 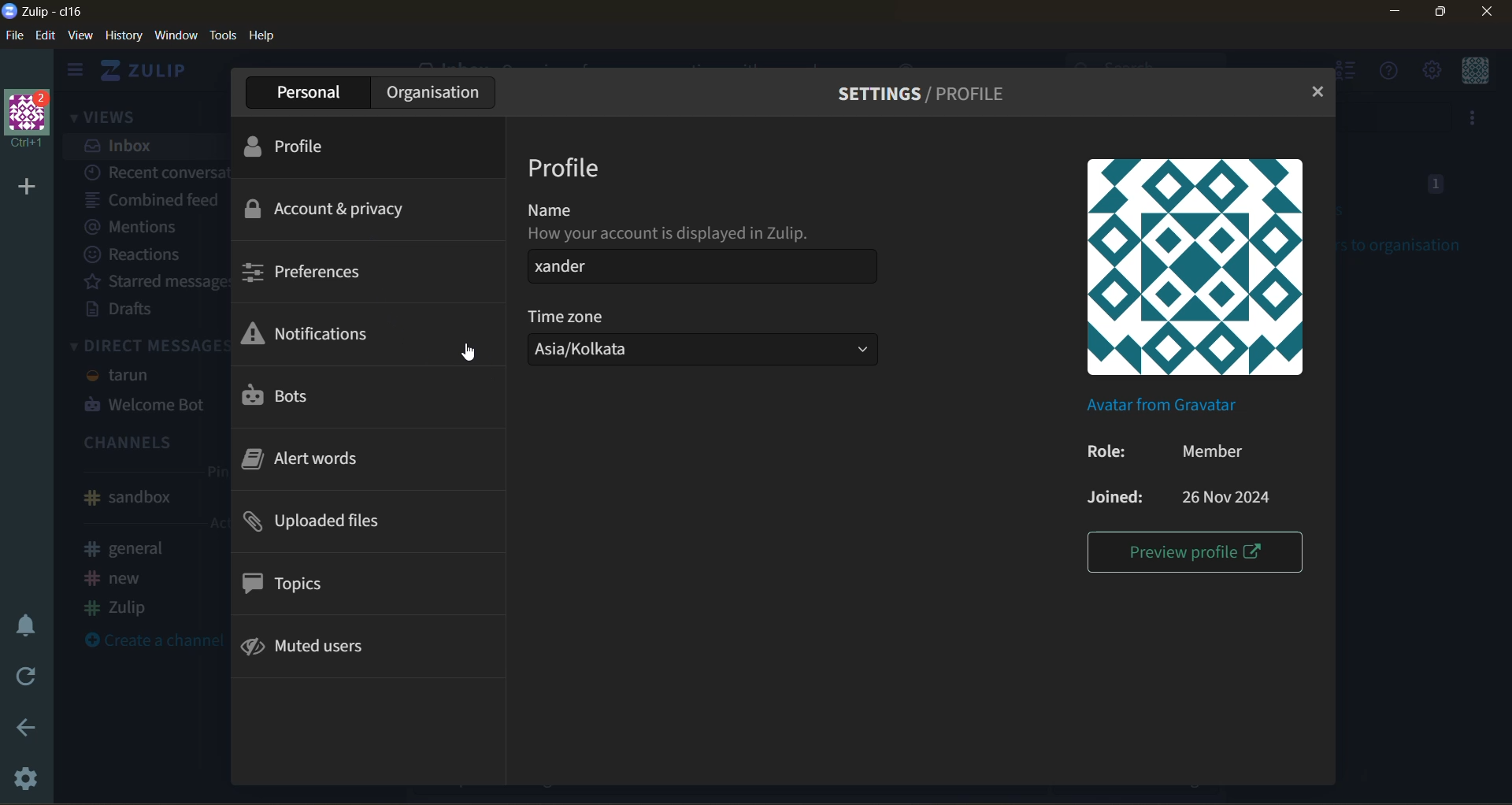 What do you see at coordinates (1435, 70) in the screenshot?
I see `main menu` at bounding box center [1435, 70].